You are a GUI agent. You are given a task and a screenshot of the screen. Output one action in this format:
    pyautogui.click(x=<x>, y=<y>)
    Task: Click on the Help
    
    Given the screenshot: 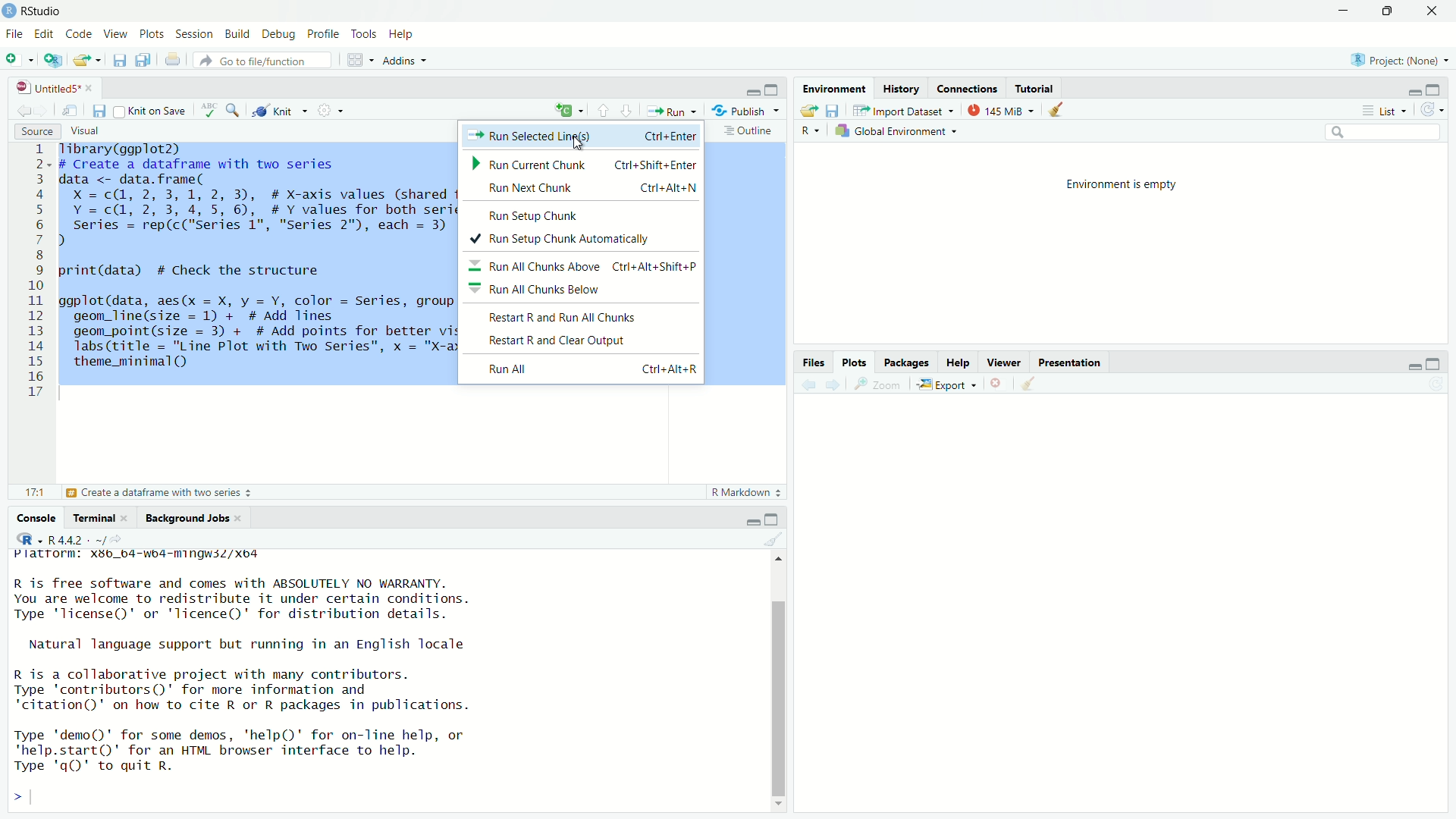 What is the action you would take?
    pyautogui.click(x=956, y=362)
    